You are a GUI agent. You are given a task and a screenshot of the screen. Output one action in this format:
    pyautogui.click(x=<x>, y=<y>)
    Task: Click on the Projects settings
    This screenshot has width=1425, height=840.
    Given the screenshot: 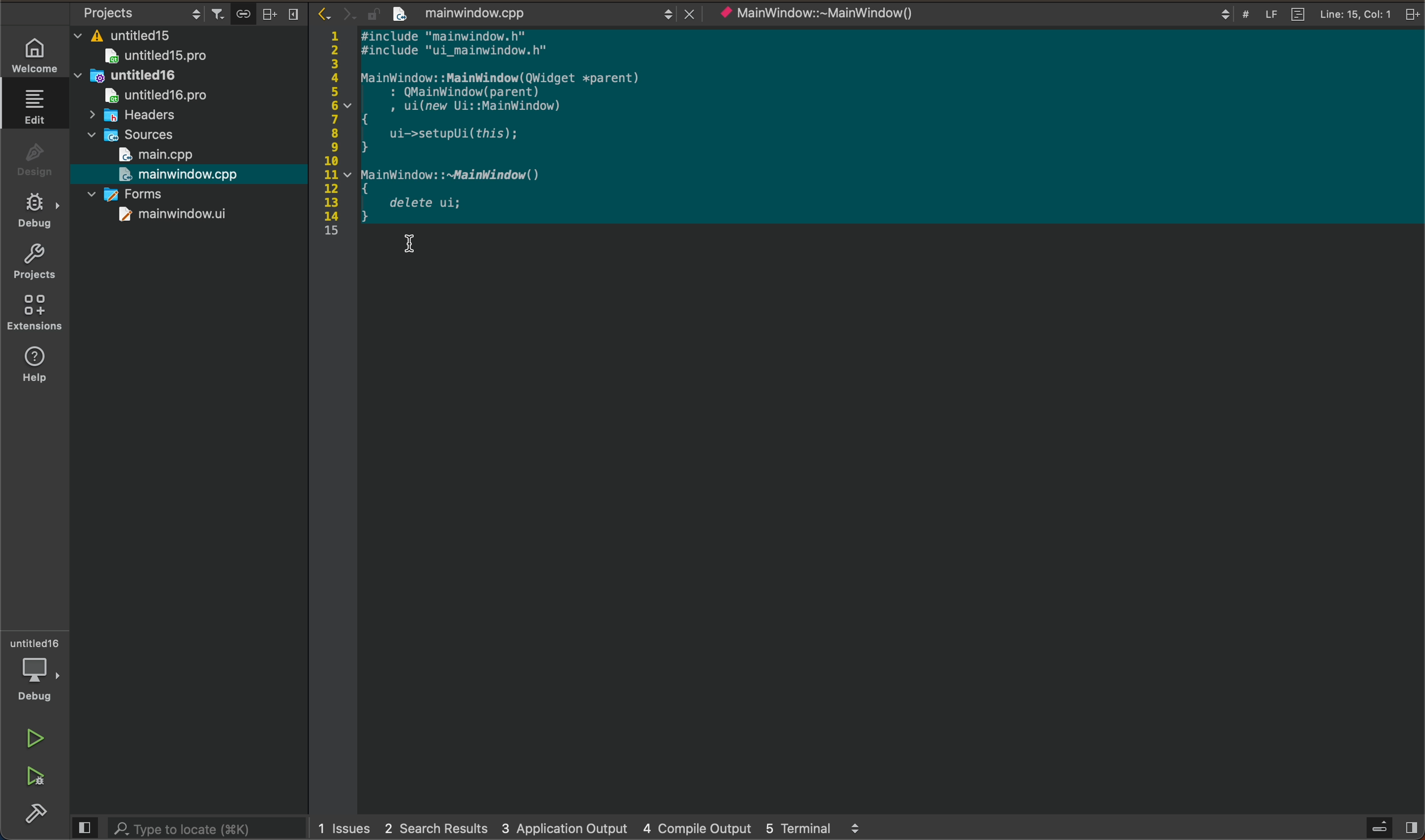 What is the action you would take?
    pyautogui.click(x=131, y=12)
    